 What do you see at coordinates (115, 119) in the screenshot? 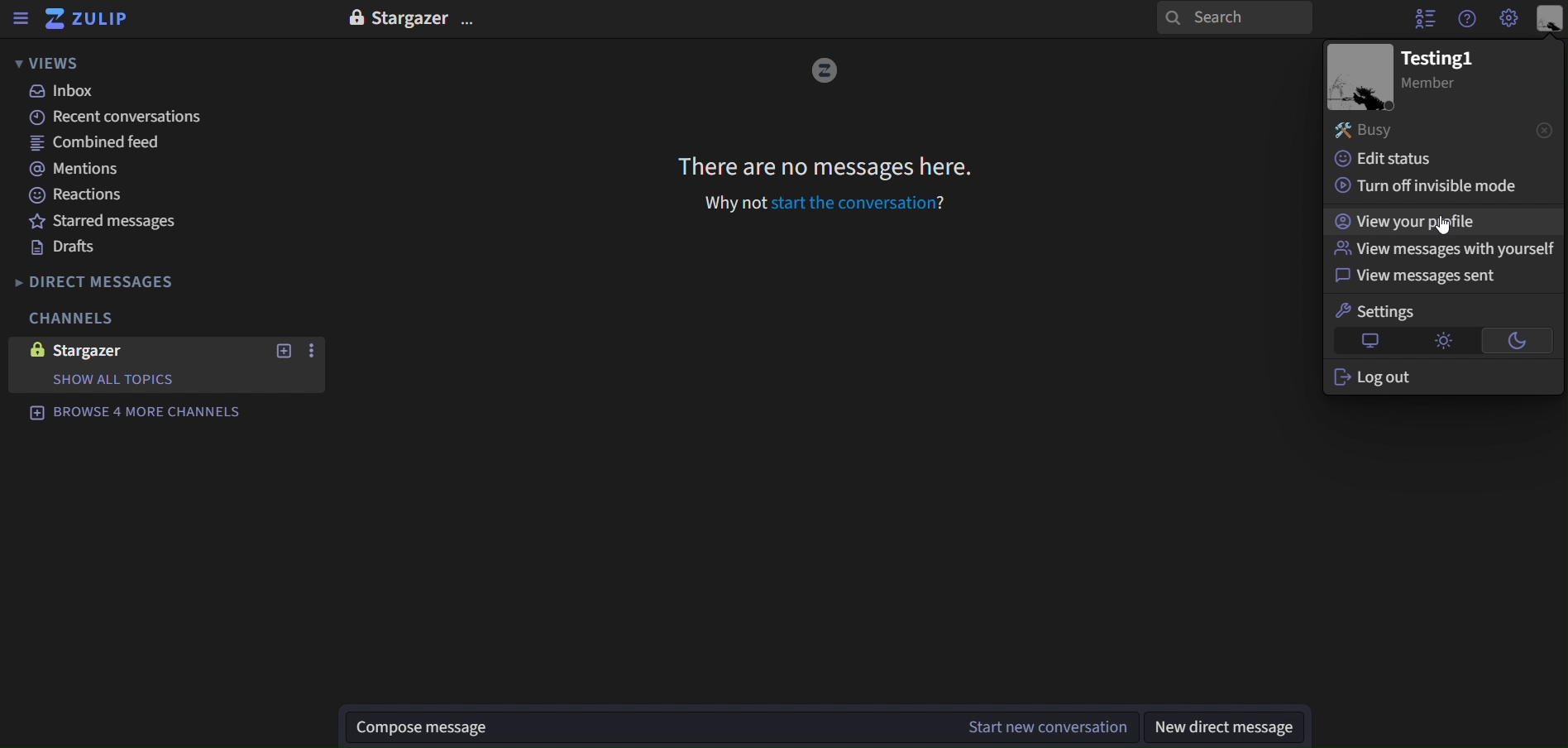
I see `recent conversations` at bounding box center [115, 119].